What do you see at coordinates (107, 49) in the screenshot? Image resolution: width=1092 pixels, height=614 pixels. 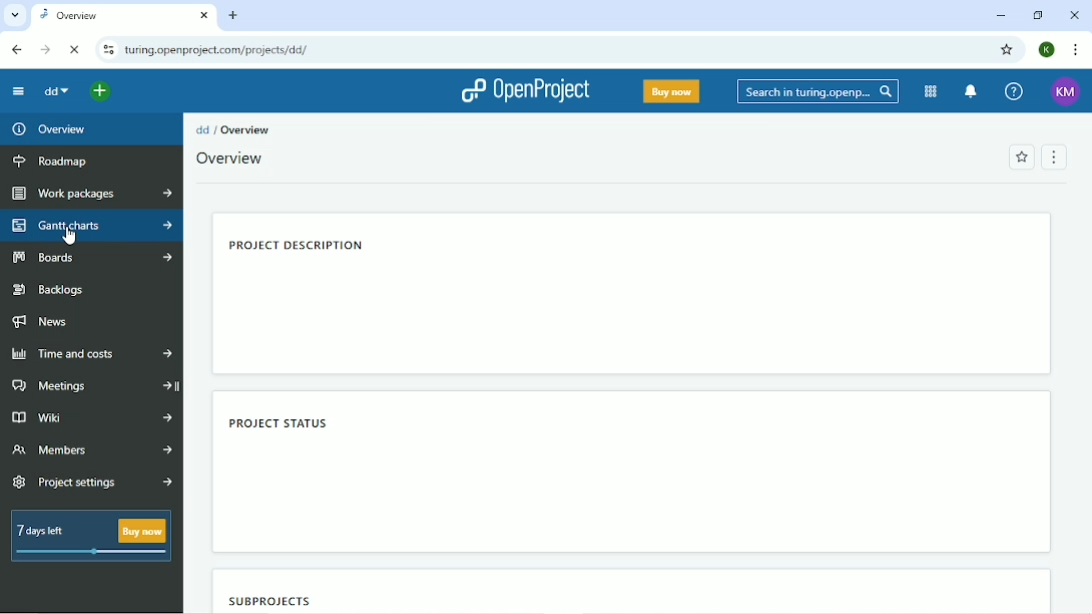 I see `View site information` at bounding box center [107, 49].